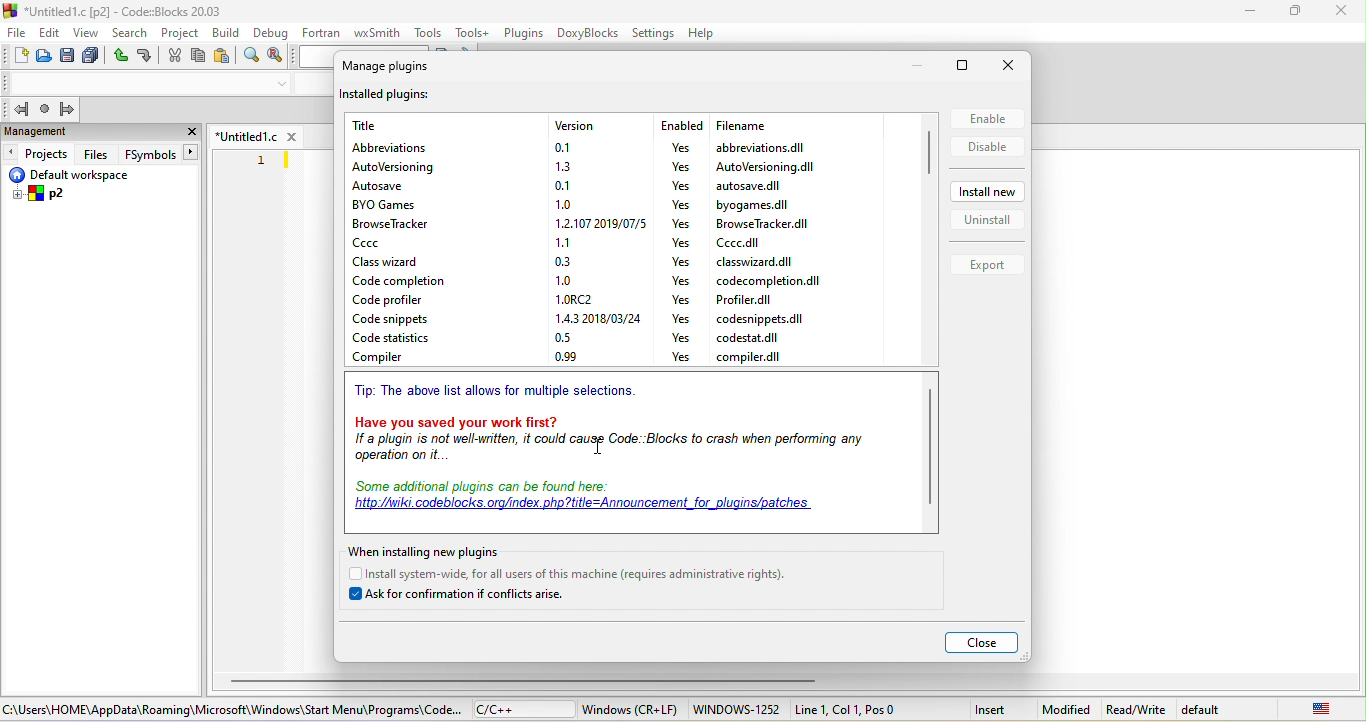 The height and width of the screenshot is (722, 1366). I want to click on export, so click(988, 266).